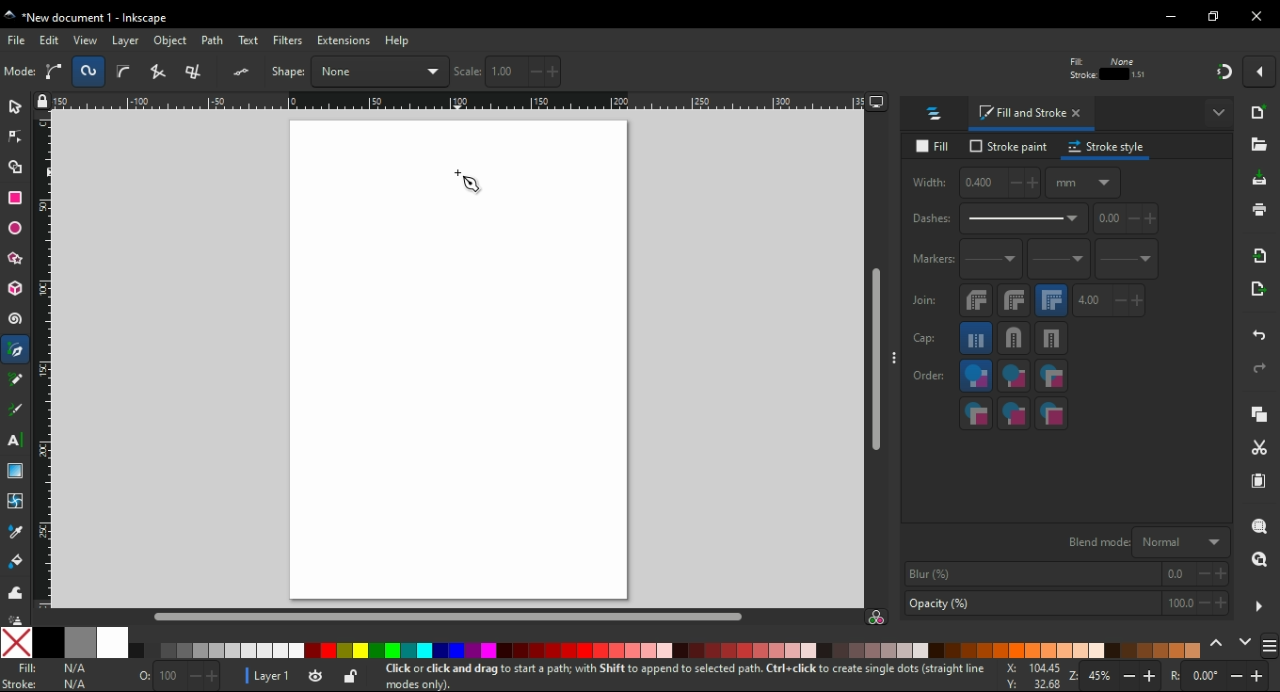  I want to click on zoom selection, so click(1261, 527).